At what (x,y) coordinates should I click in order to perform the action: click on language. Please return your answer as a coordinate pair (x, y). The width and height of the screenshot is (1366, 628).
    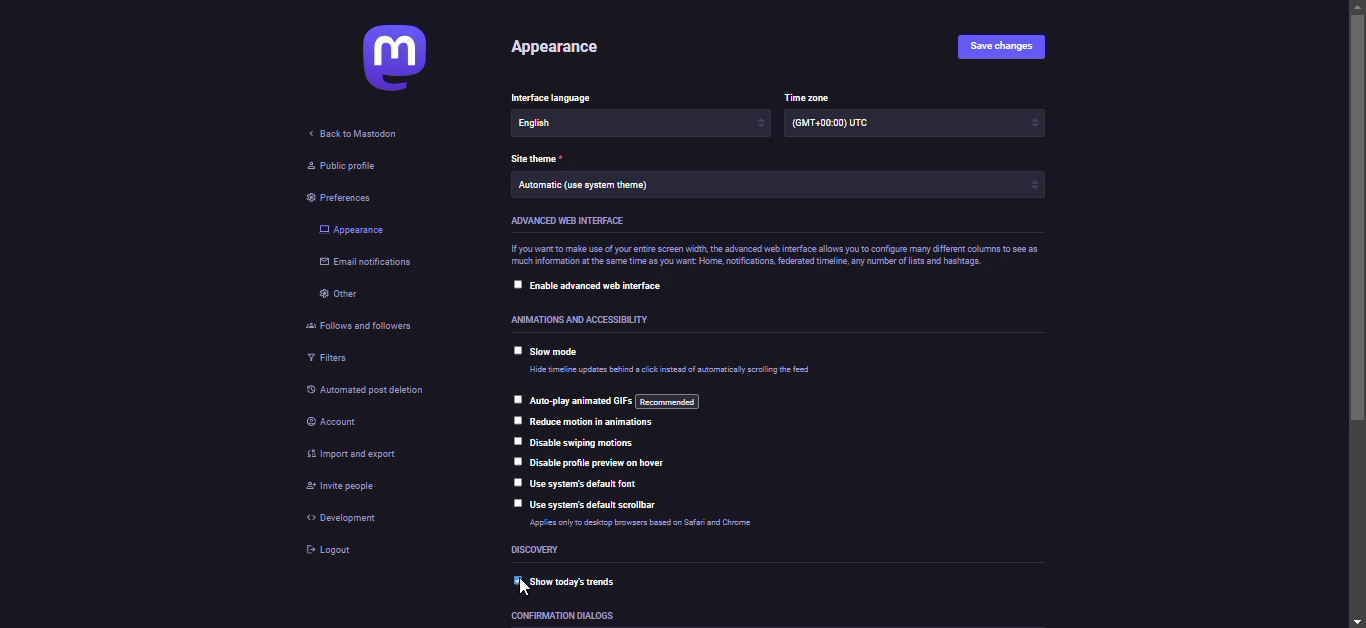
    Looking at the image, I should click on (570, 123).